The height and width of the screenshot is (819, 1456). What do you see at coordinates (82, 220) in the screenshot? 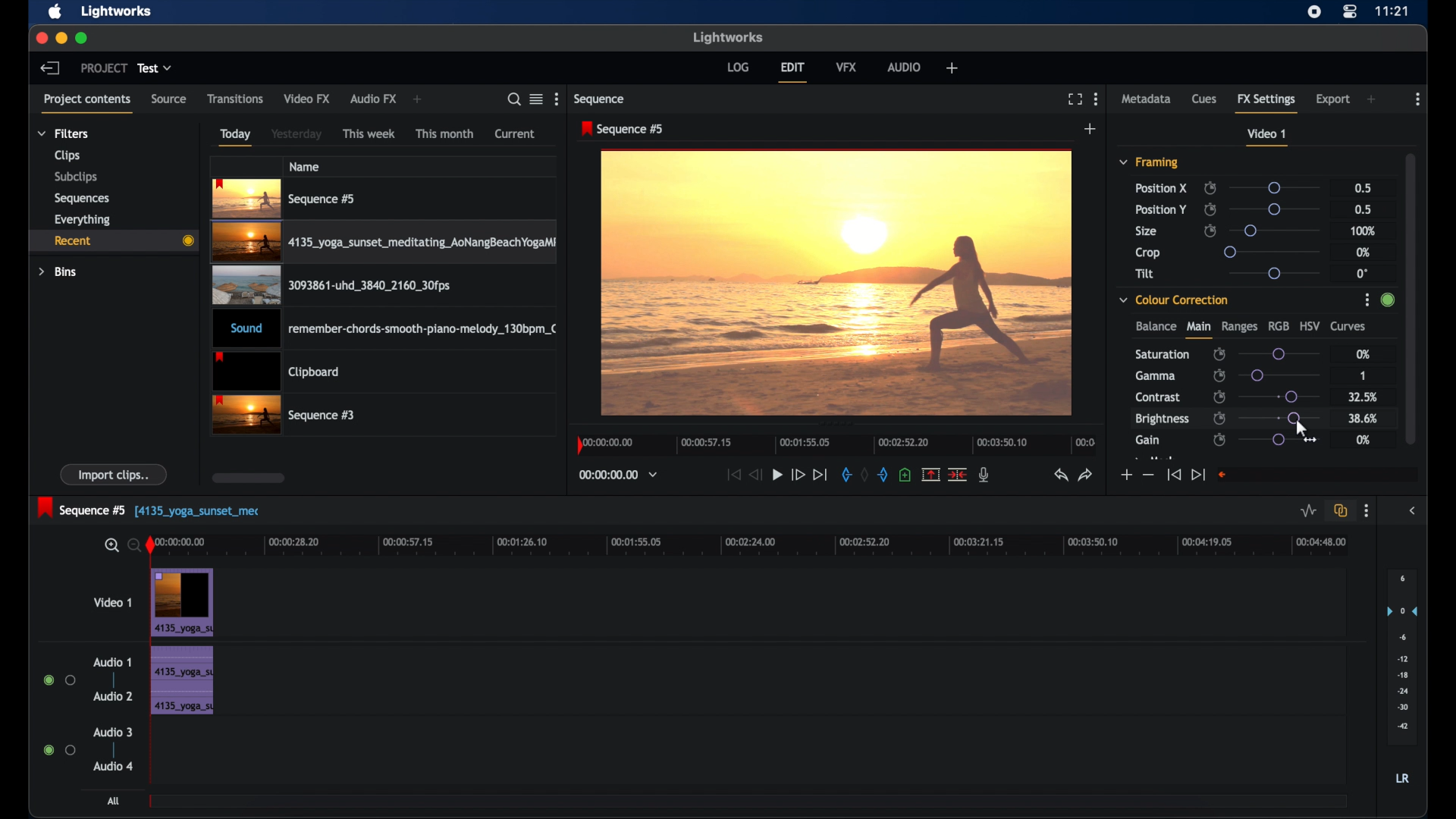
I see `everything` at bounding box center [82, 220].